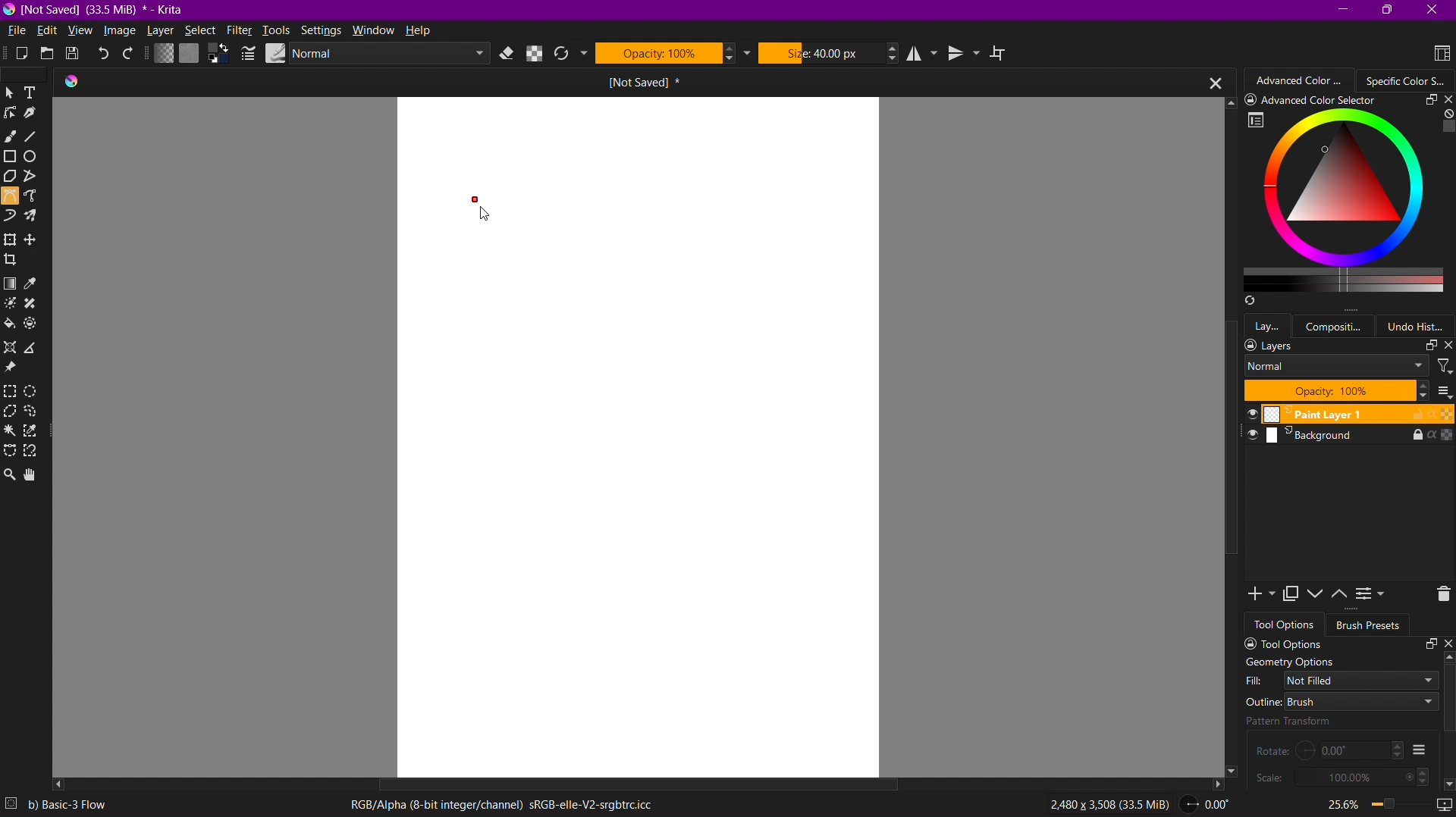 This screenshot has width=1456, height=817. I want to click on Assistant Tool, so click(14, 347).